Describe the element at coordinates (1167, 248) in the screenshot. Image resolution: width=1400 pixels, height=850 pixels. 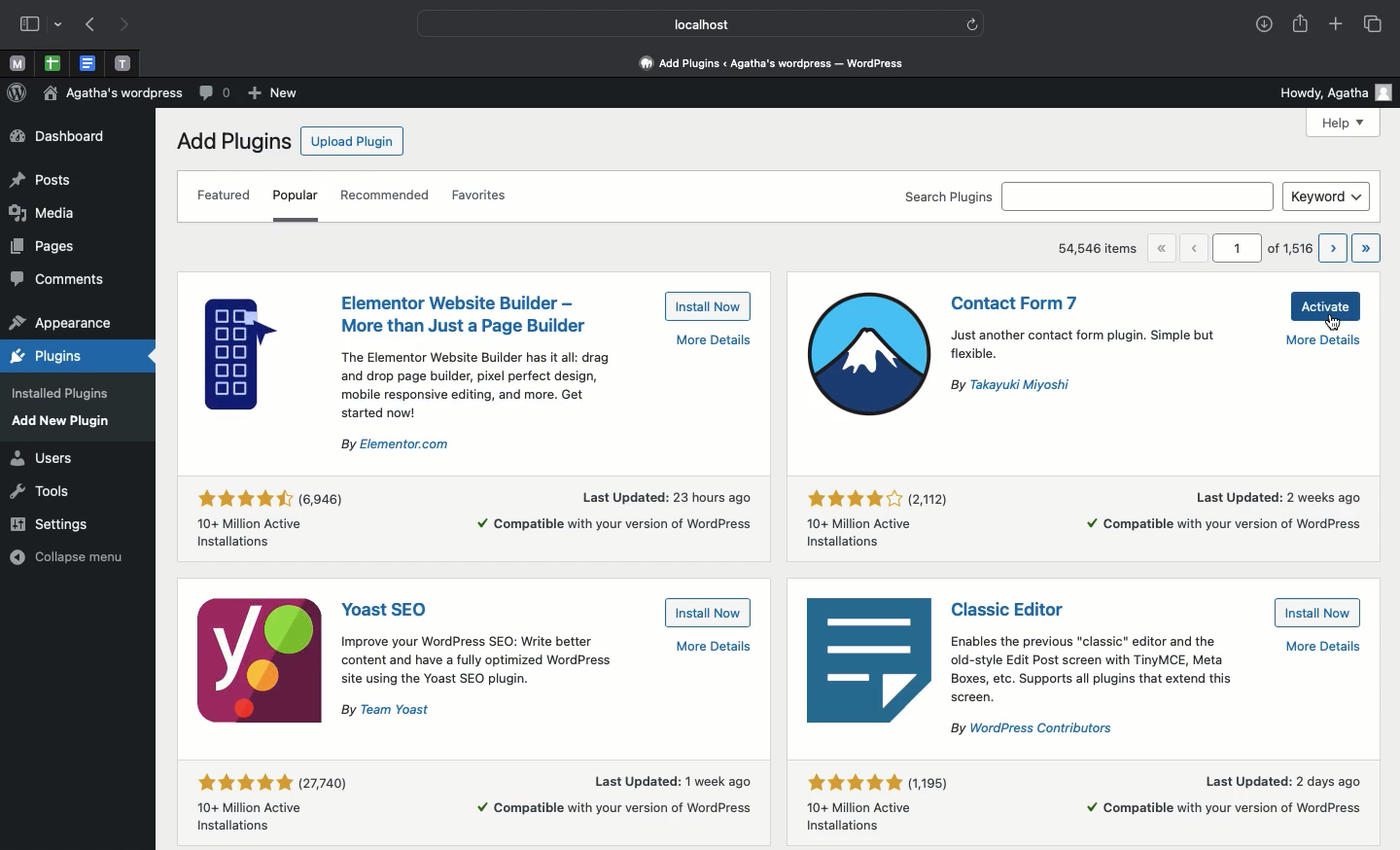
I see `First page` at that location.